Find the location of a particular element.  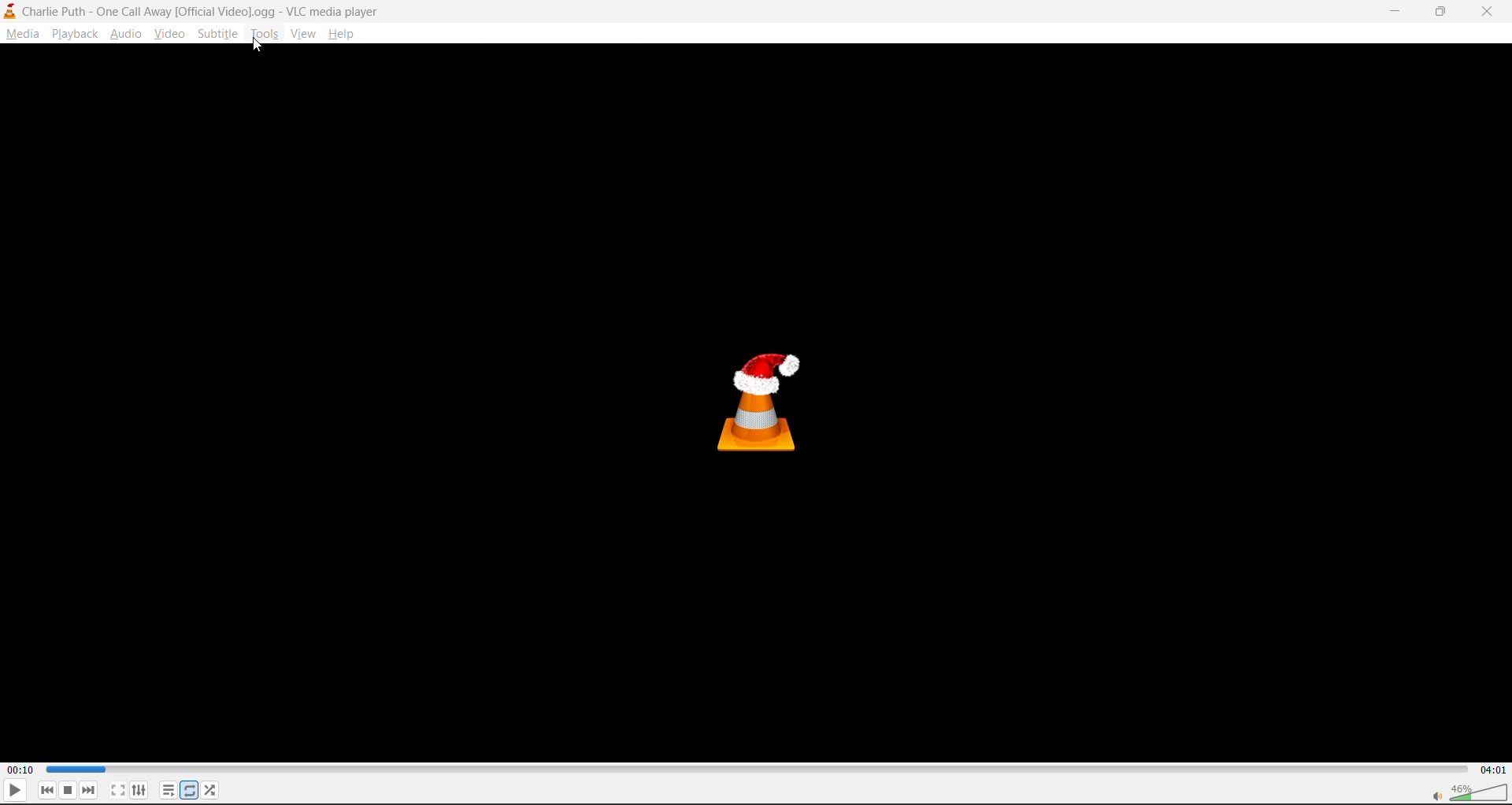

video is located at coordinates (172, 35).